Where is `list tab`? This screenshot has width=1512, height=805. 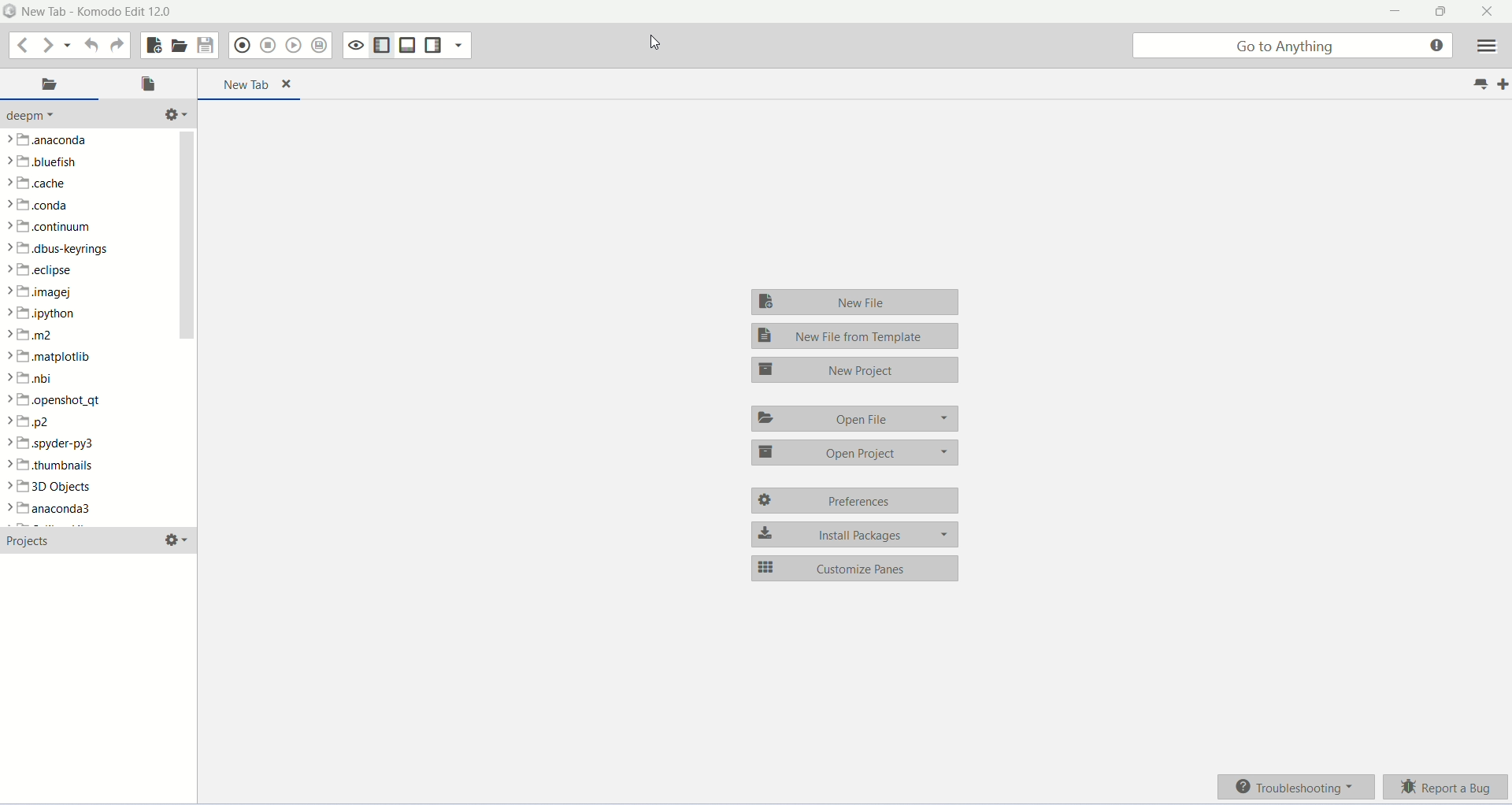 list tab is located at coordinates (1480, 83).